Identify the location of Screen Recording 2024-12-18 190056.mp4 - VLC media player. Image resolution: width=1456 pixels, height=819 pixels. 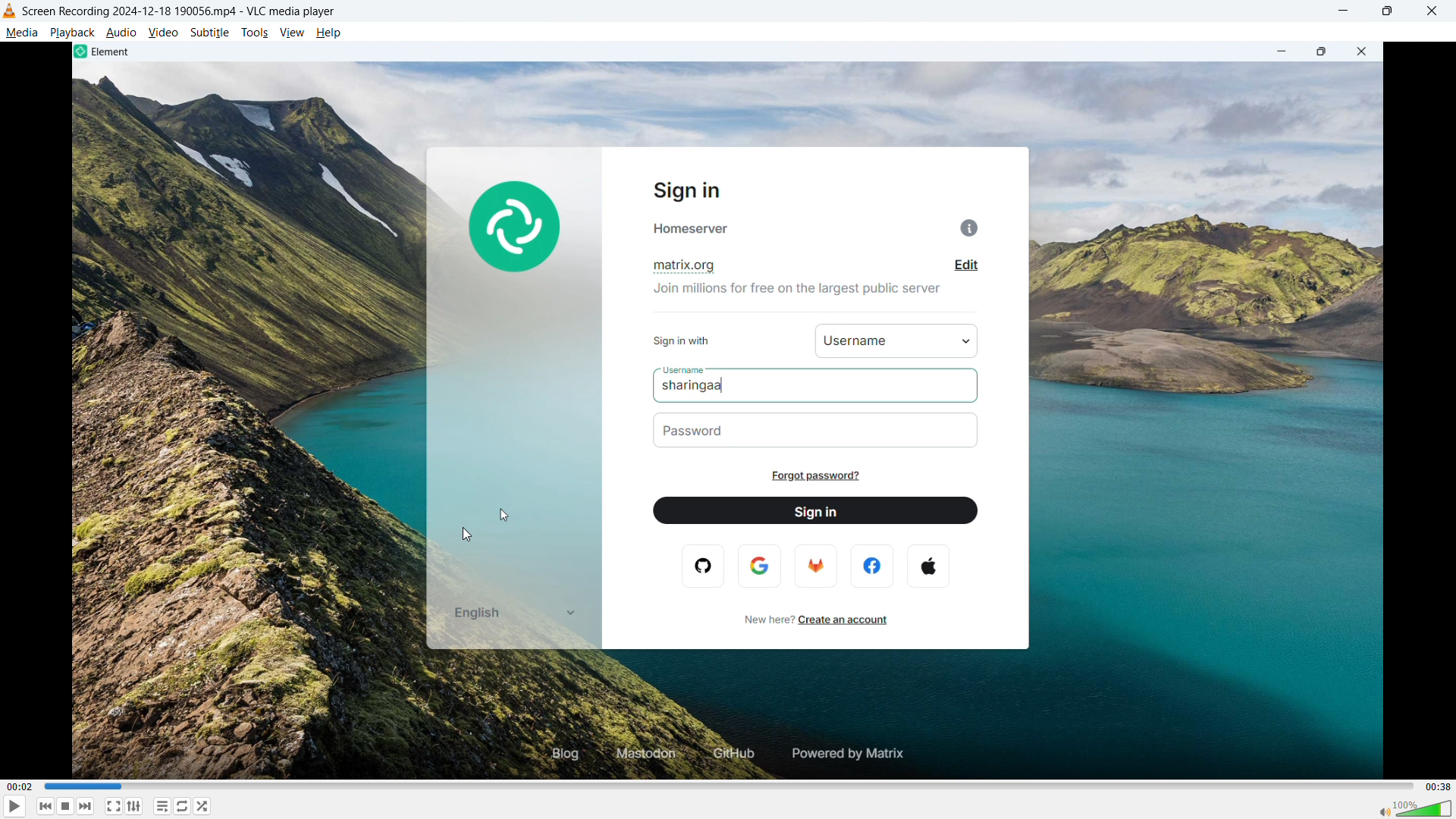
(180, 11).